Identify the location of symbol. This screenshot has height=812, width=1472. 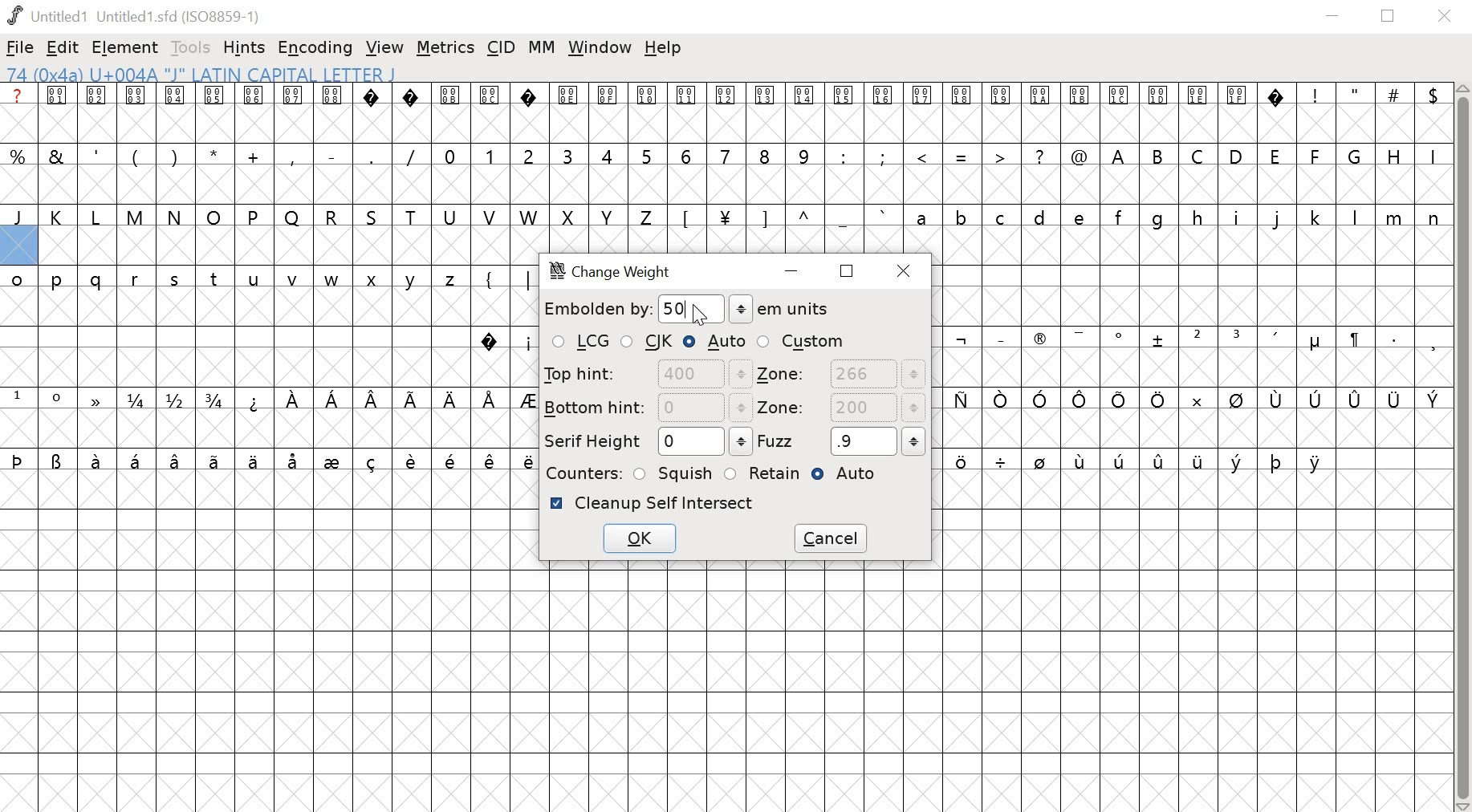
(93, 398).